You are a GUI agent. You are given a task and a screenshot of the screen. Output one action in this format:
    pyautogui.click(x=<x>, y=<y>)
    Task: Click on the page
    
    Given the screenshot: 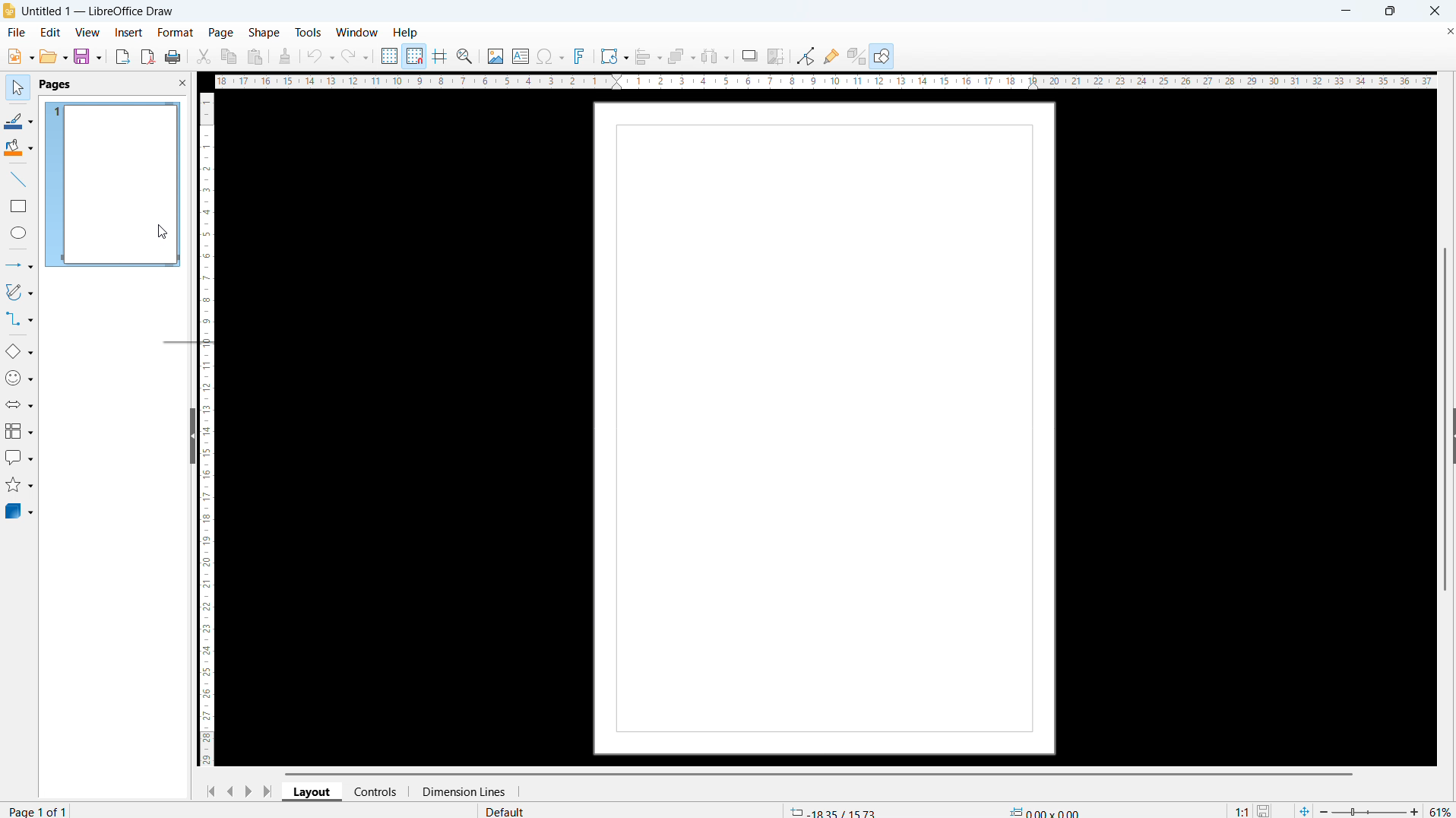 What is the action you would take?
    pyautogui.click(x=825, y=428)
    